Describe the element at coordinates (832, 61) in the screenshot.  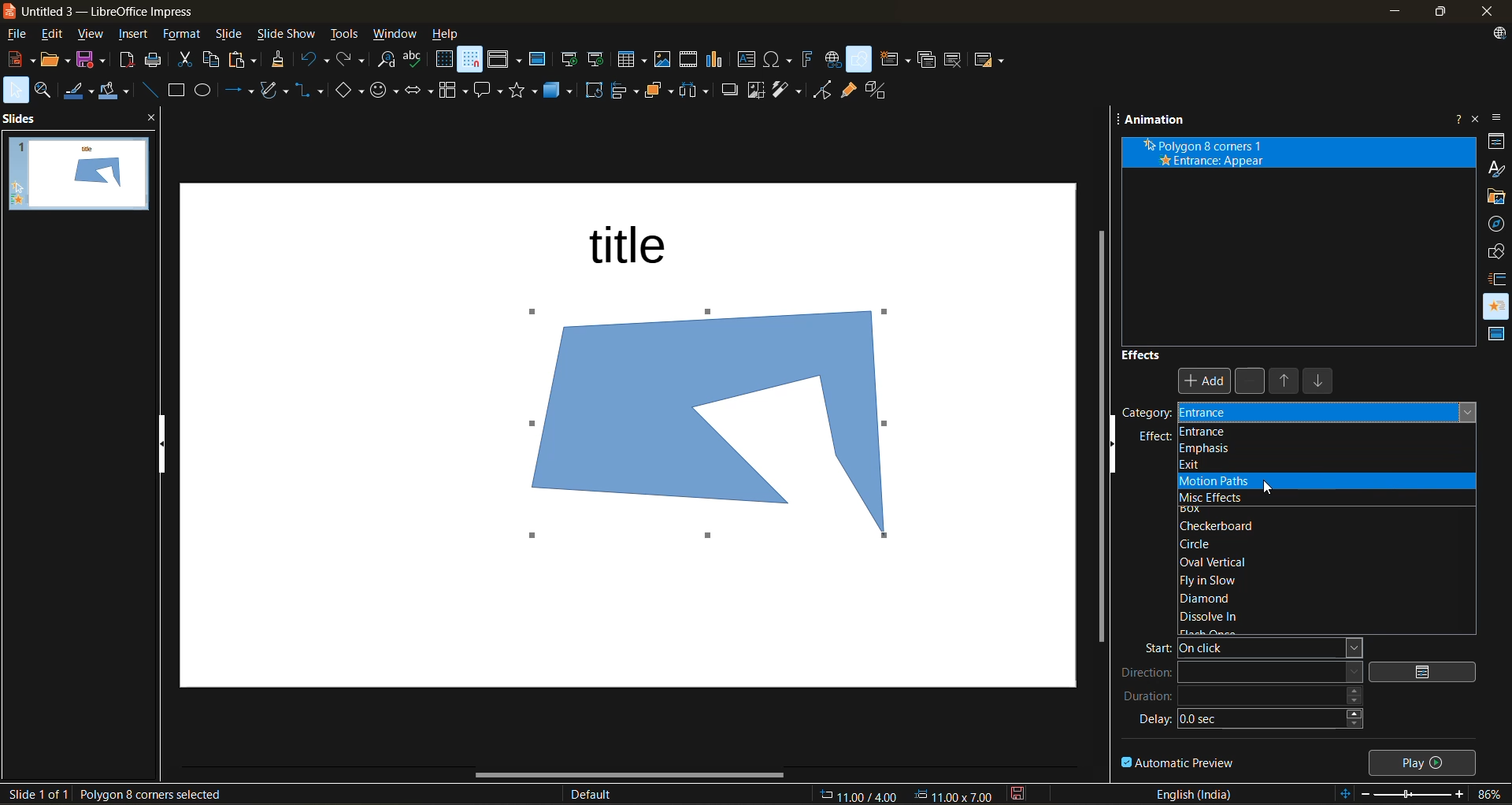
I see `insert hyperlink` at that location.